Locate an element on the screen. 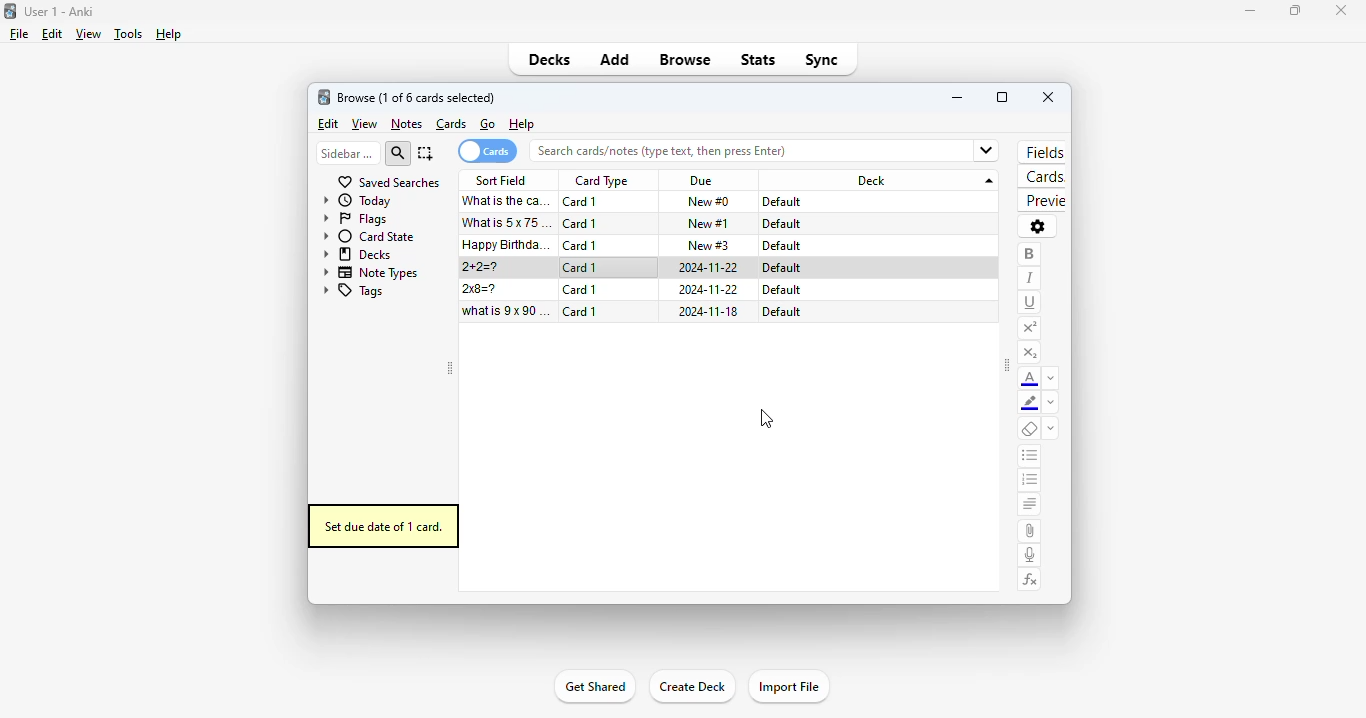 The height and width of the screenshot is (718, 1366). saved searches is located at coordinates (388, 182).